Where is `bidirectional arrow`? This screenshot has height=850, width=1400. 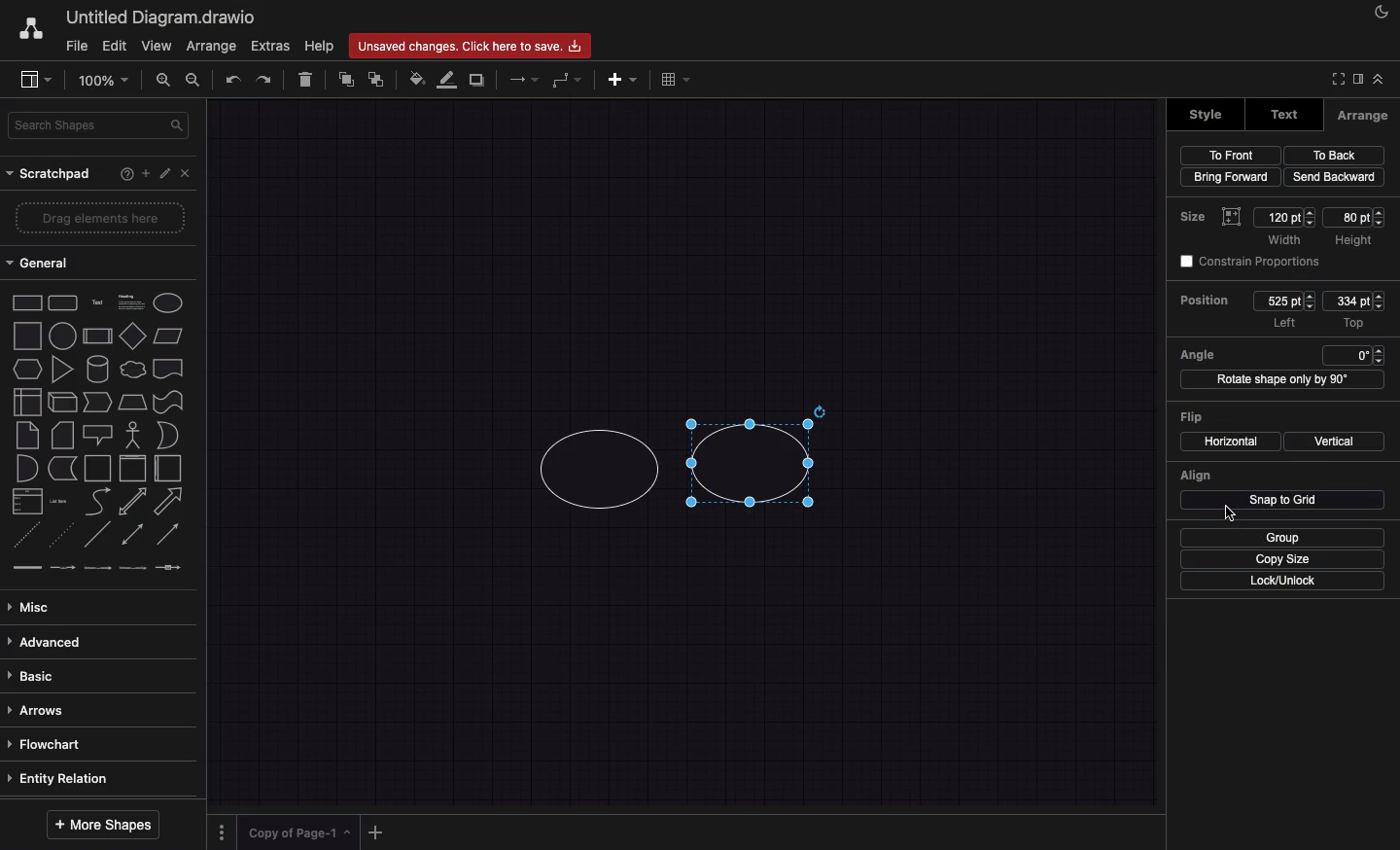
bidirectional arrow is located at coordinates (134, 502).